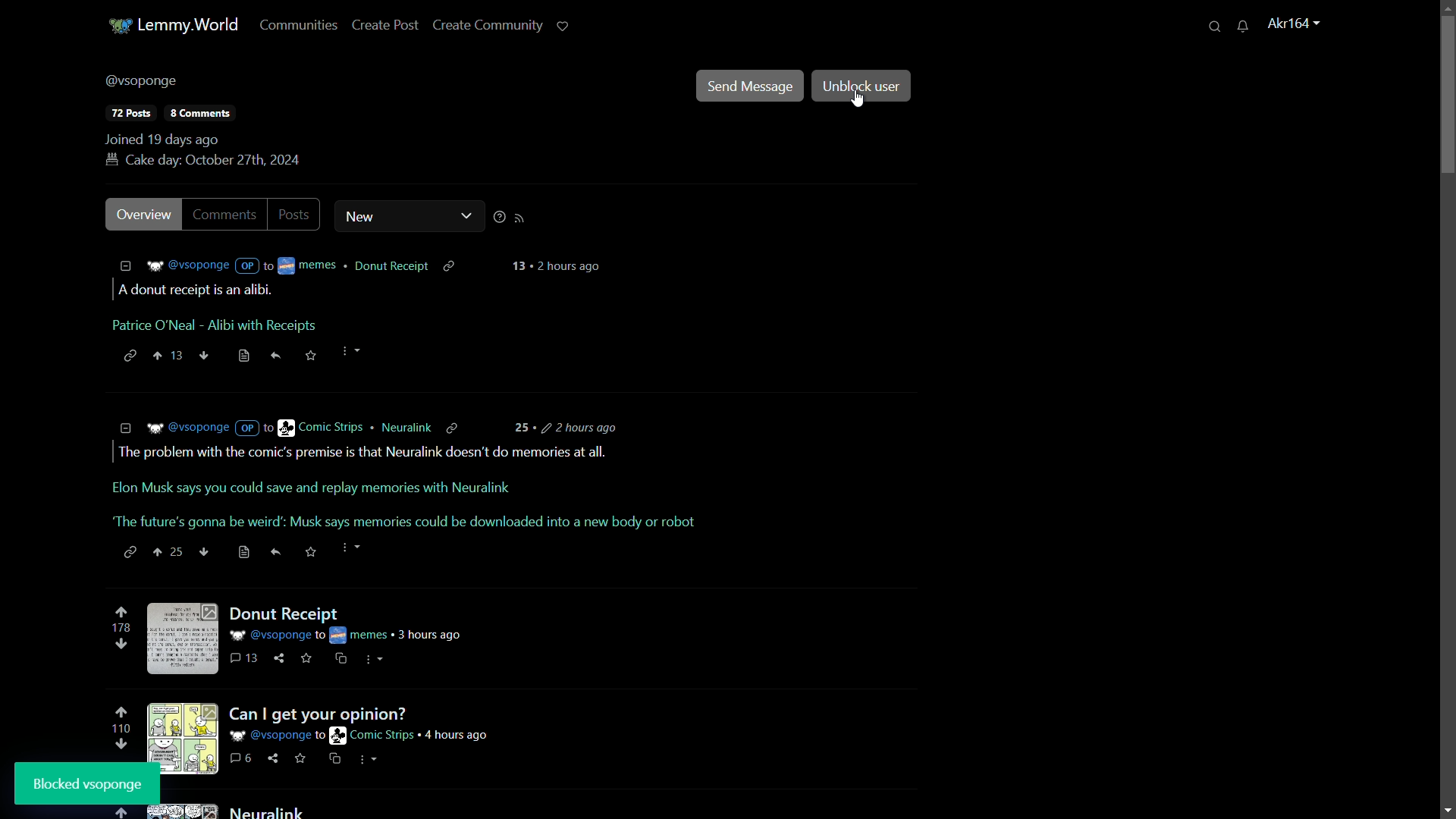  Describe the element at coordinates (131, 113) in the screenshot. I see `posts` at that location.